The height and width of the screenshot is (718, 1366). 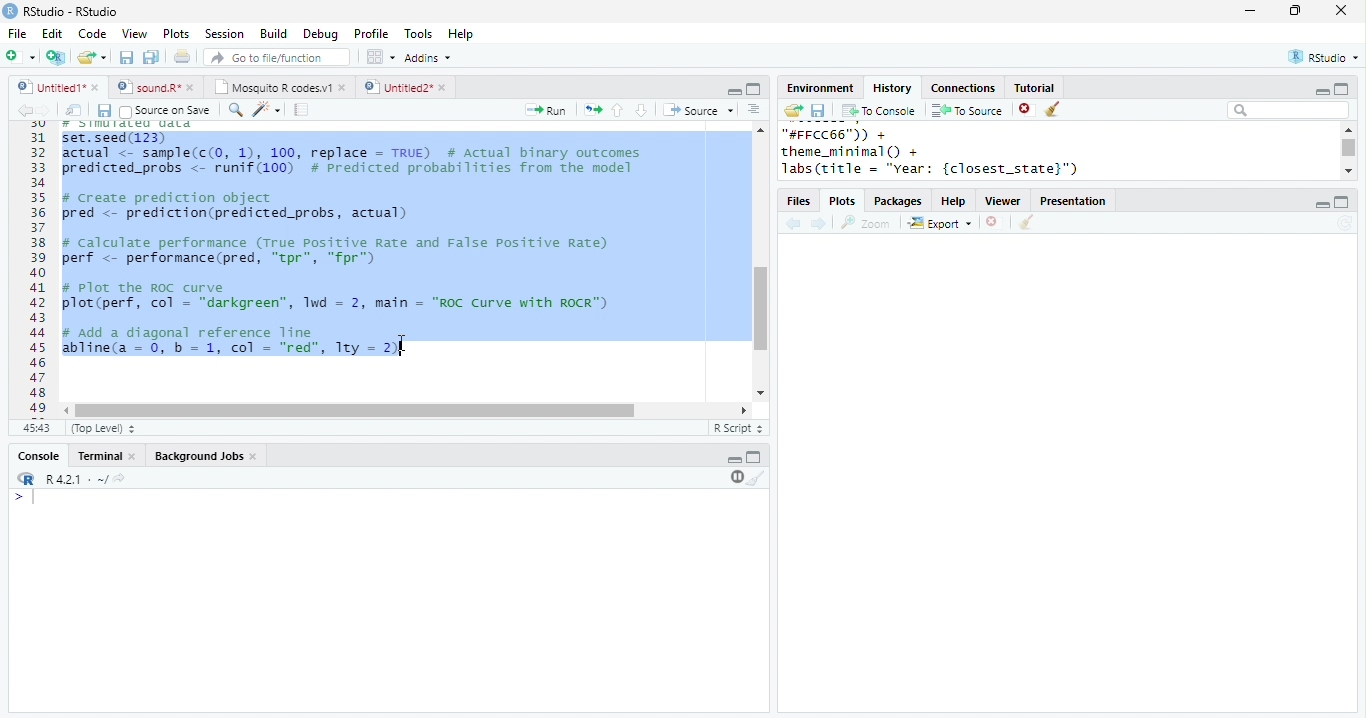 I want to click on scroll up, so click(x=759, y=129).